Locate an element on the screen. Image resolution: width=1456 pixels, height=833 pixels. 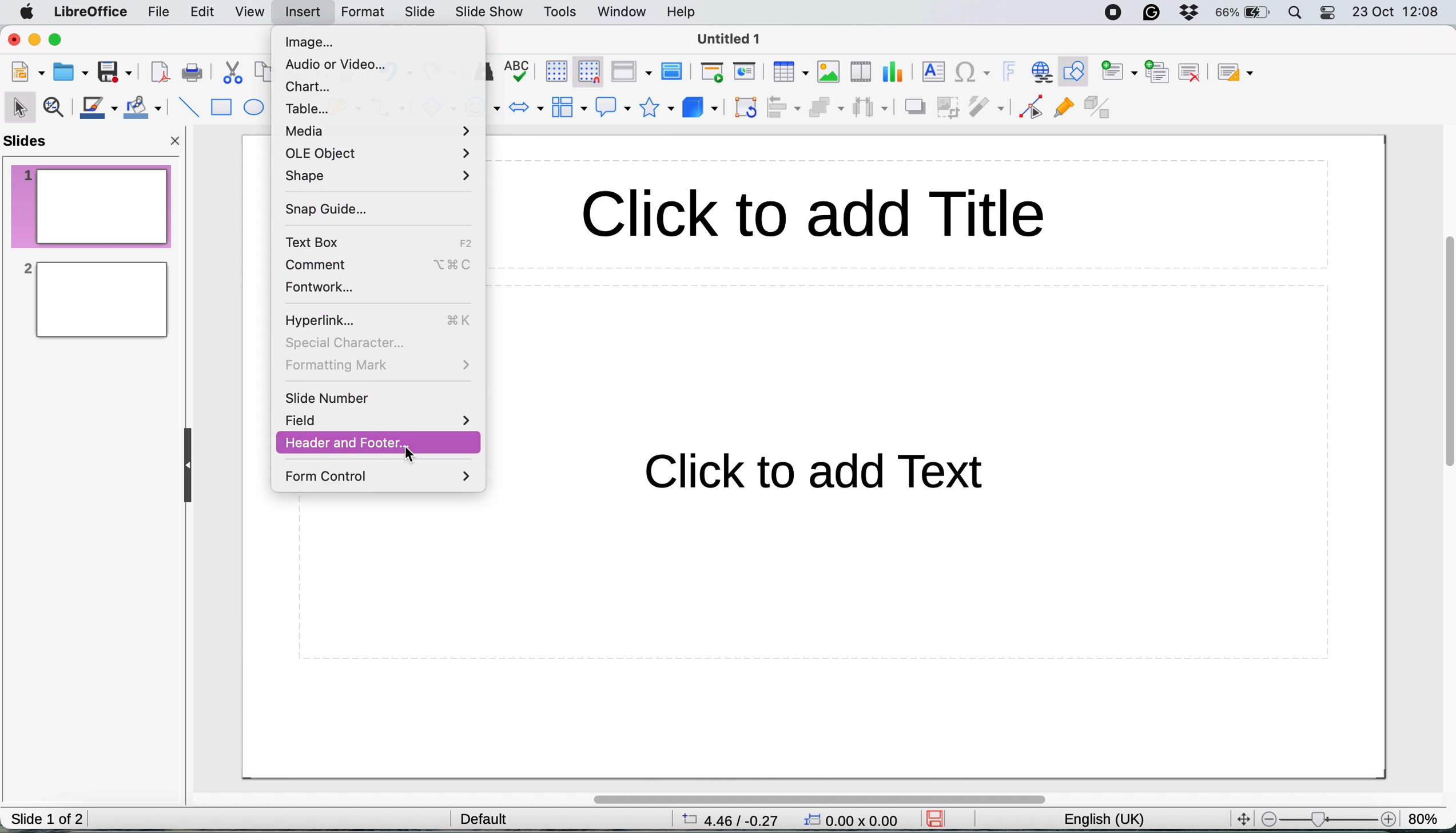
transformations is located at coordinates (747, 109).